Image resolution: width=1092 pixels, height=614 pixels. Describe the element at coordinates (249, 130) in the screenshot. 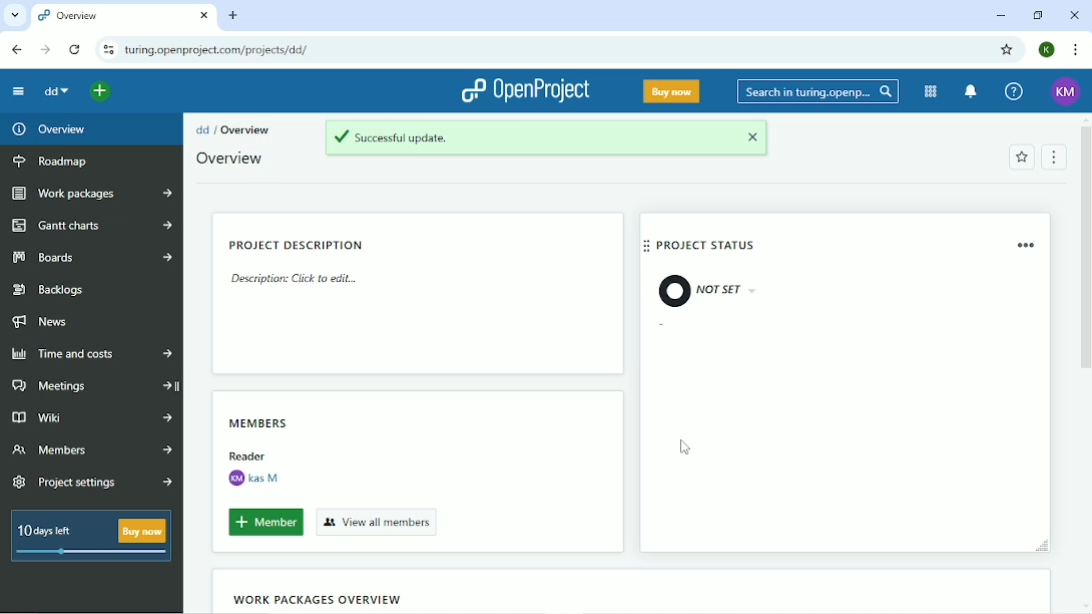

I see `Overview` at that location.